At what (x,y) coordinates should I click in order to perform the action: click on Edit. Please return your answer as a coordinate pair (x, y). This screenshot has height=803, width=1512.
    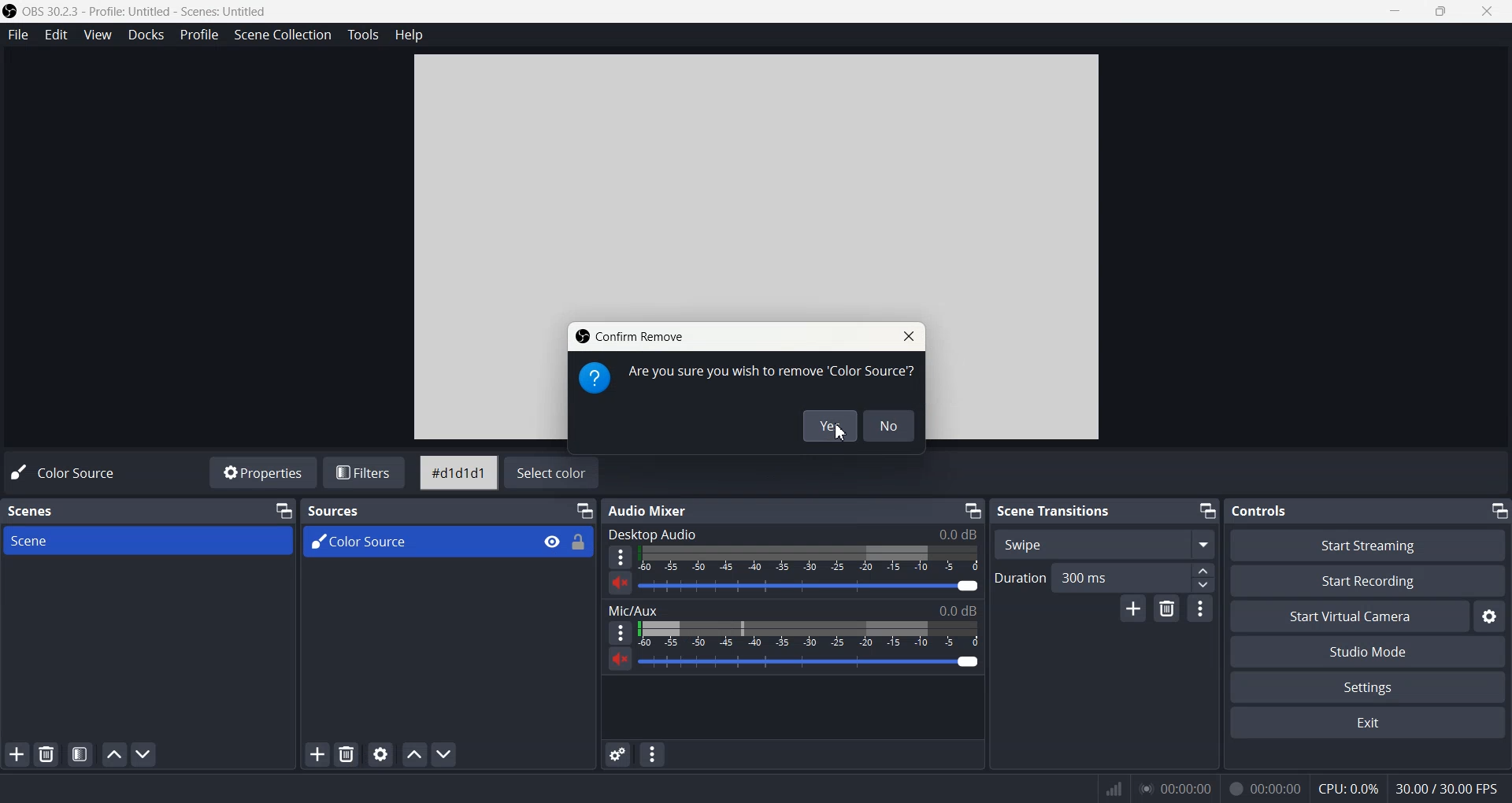
    Looking at the image, I should click on (57, 35).